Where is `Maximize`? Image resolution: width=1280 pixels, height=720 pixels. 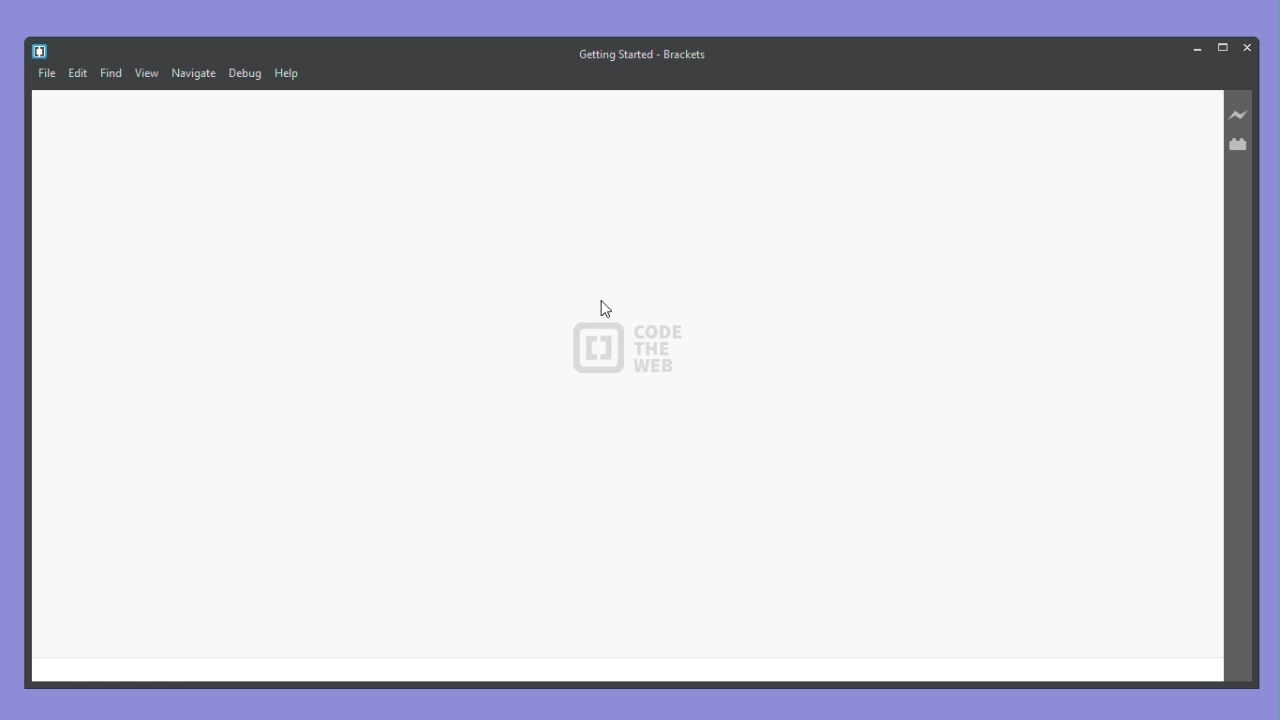
Maximize is located at coordinates (1221, 47).